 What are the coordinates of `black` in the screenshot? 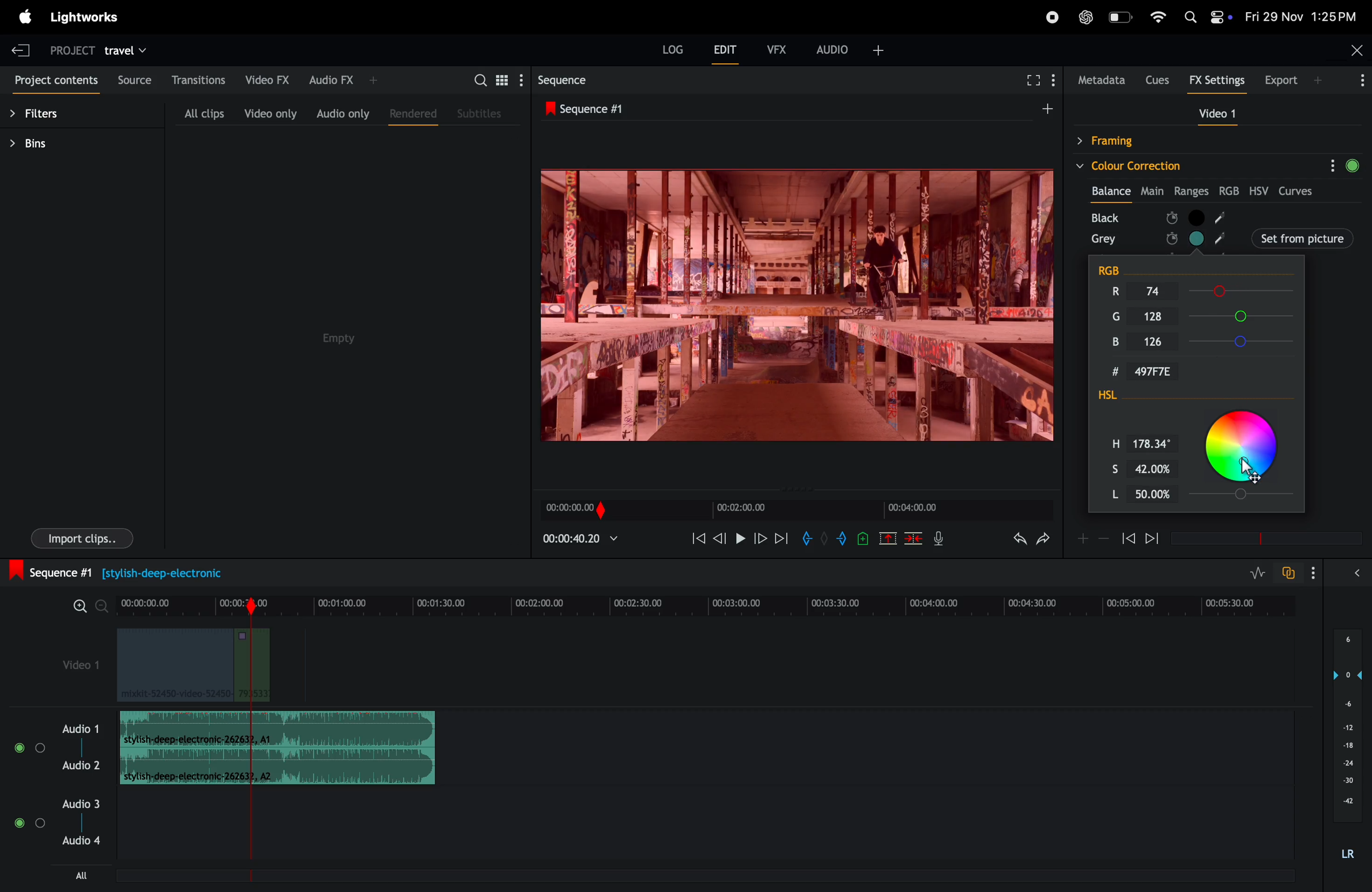 It's located at (1110, 217).